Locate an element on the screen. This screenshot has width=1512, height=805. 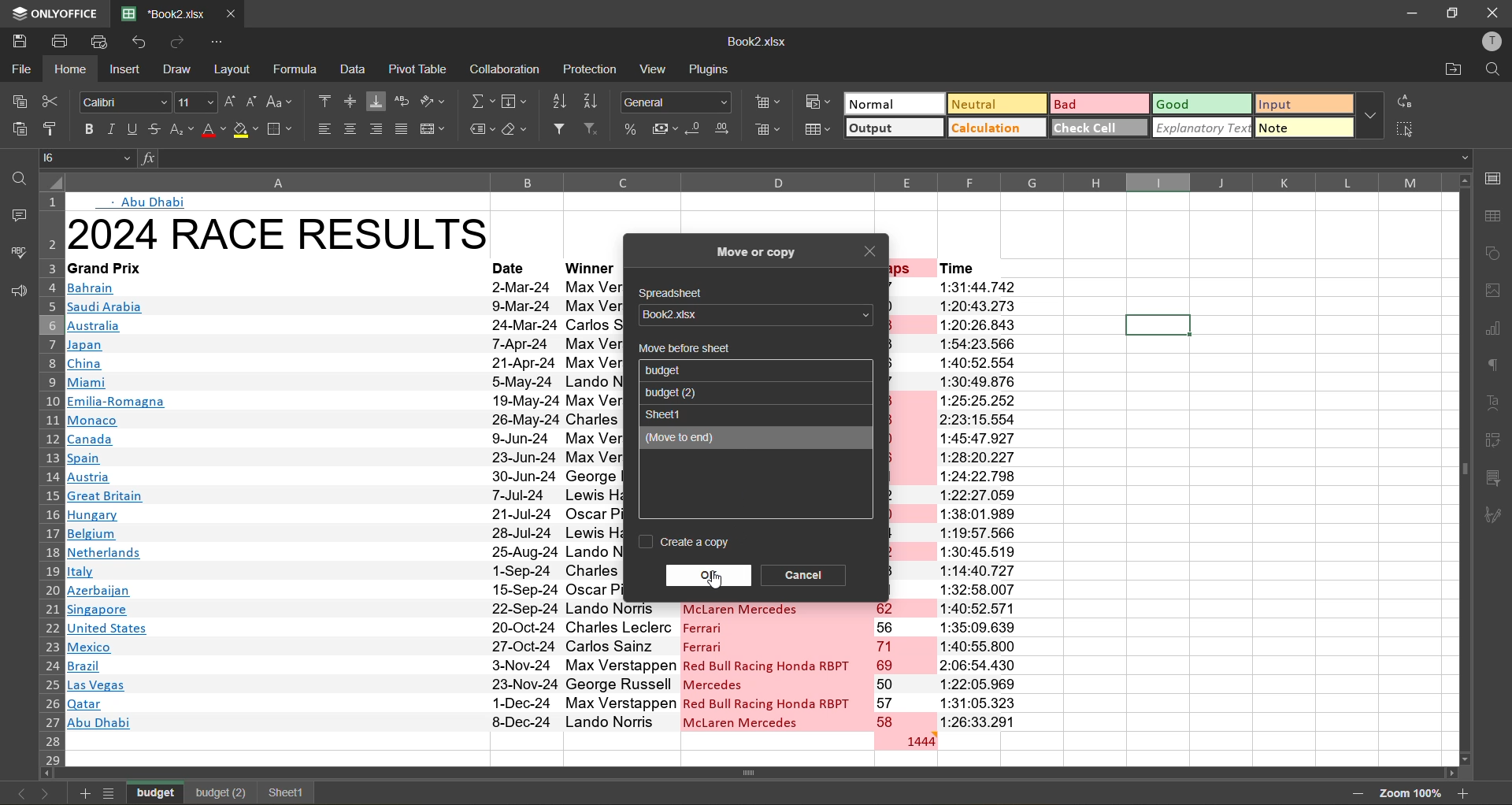
explanatory text is located at coordinates (1203, 127).